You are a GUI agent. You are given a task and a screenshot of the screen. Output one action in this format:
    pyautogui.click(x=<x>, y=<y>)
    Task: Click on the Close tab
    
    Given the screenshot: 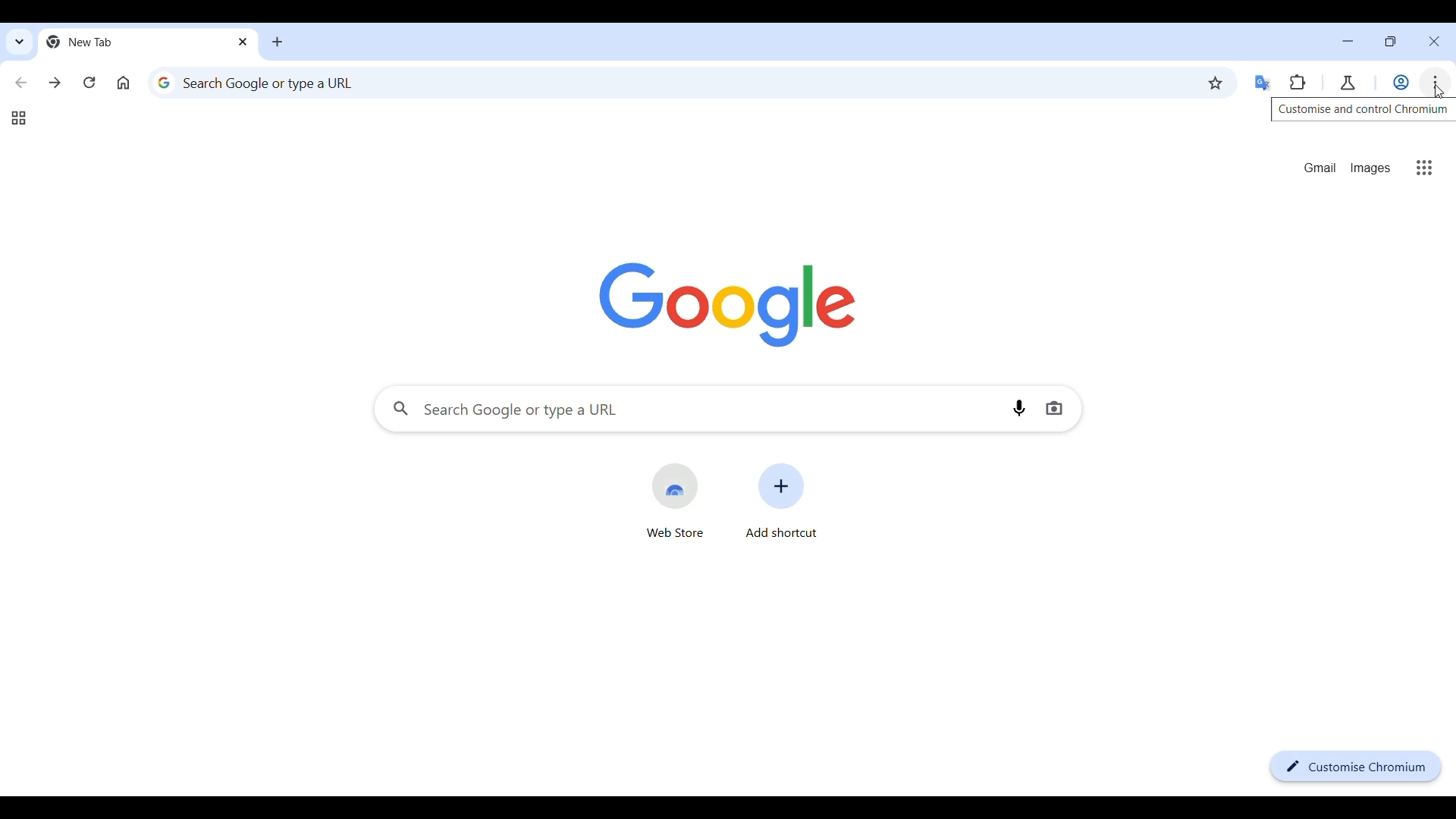 What is the action you would take?
    pyautogui.click(x=244, y=41)
    